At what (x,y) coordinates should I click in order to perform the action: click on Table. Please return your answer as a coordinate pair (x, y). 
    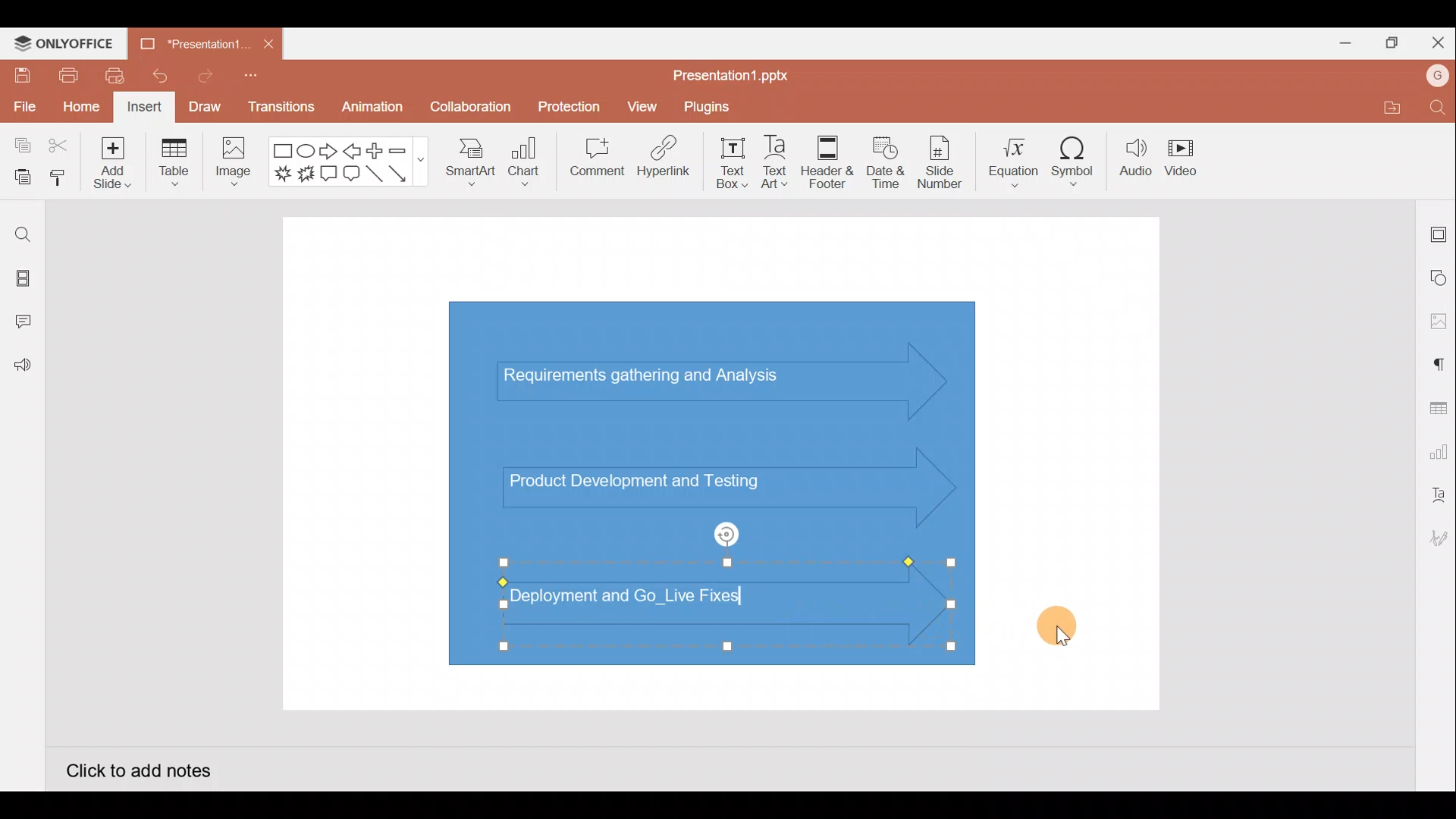
    Looking at the image, I should click on (176, 164).